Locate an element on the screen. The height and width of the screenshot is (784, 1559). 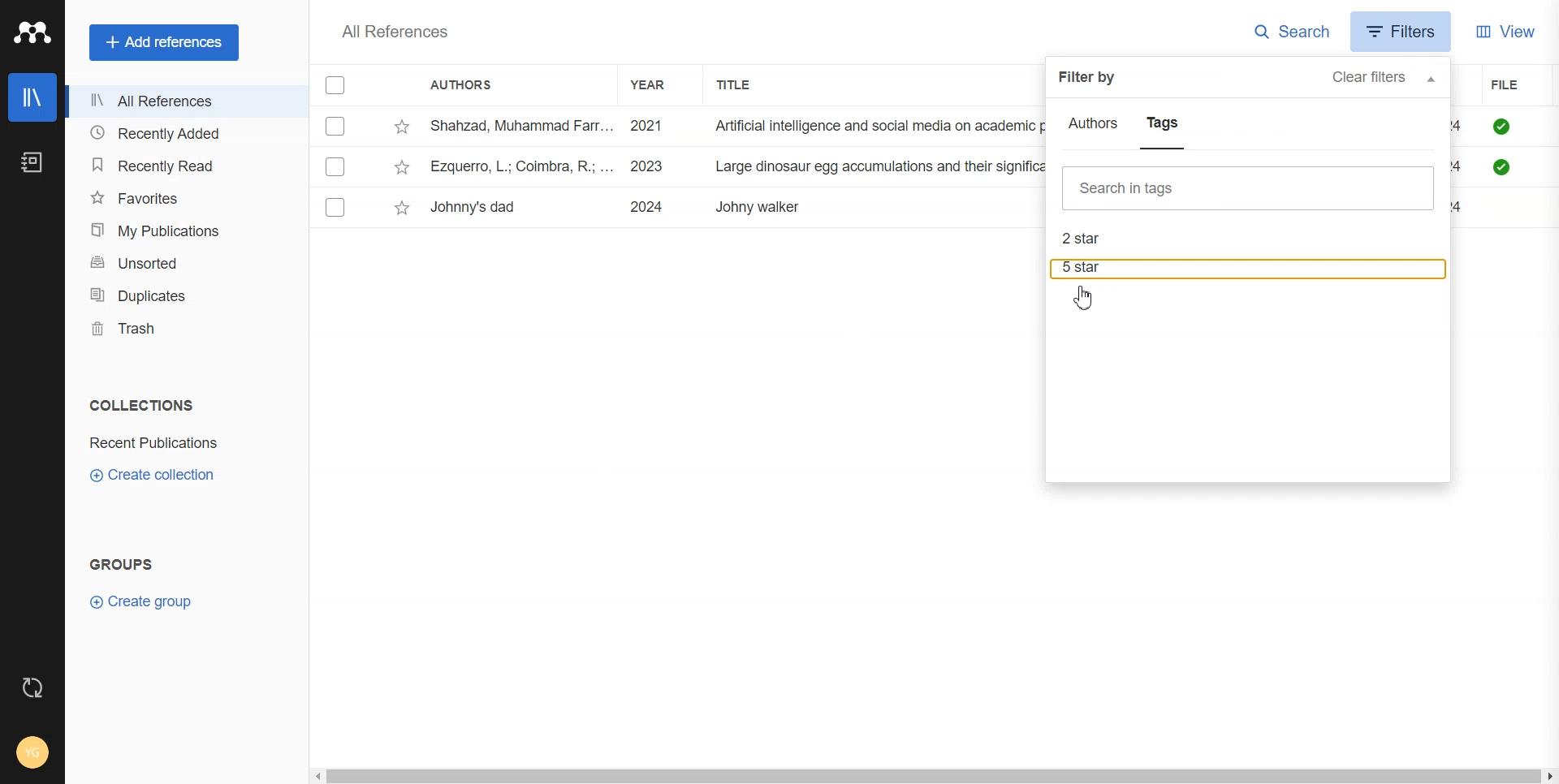
select entry is located at coordinates (335, 166).